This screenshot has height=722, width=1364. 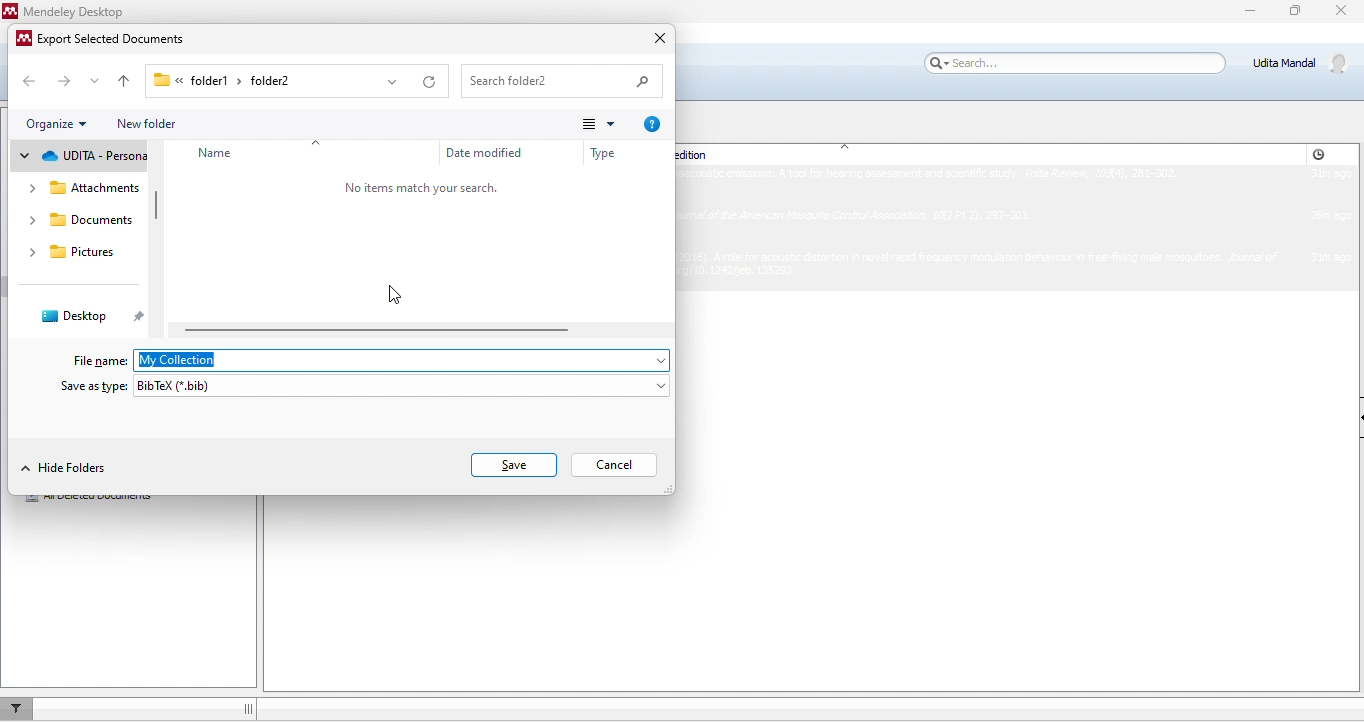 What do you see at coordinates (599, 156) in the screenshot?
I see `type` at bounding box center [599, 156].